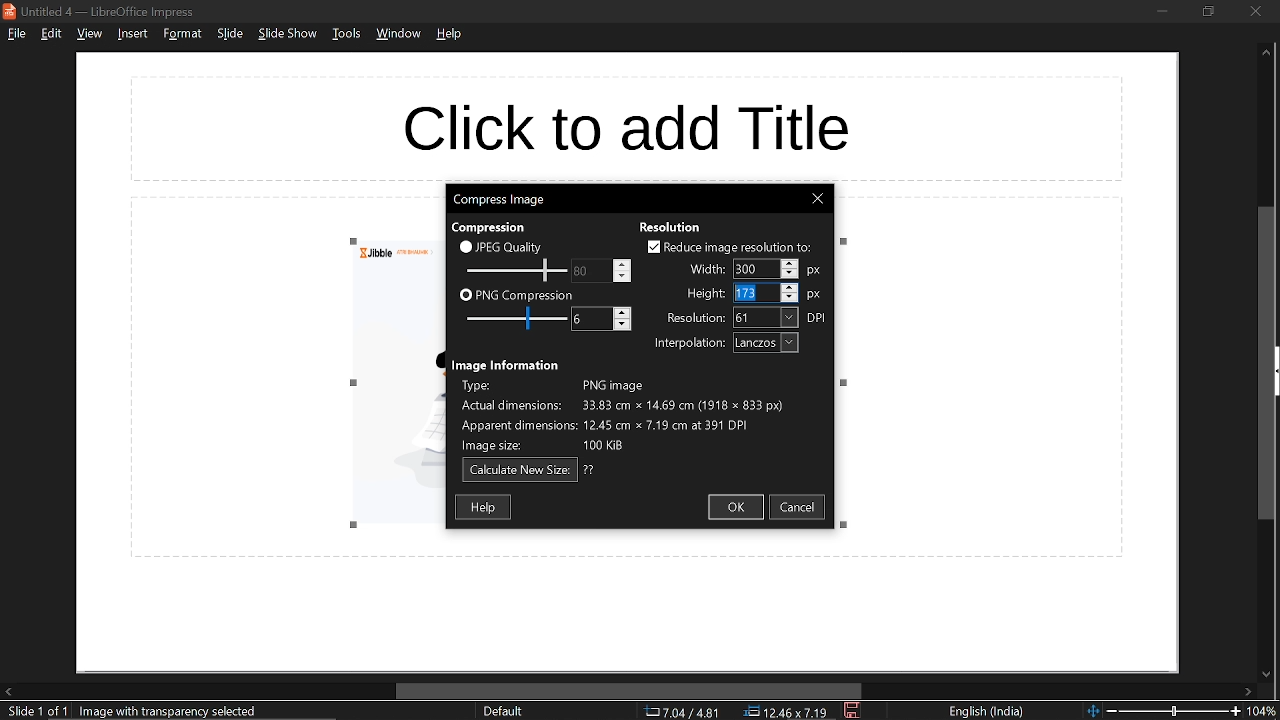 The image size is (1280, 720). Describe the element at coordinates (791, 298) in the screenshot. I see `Decrease ` at that location.